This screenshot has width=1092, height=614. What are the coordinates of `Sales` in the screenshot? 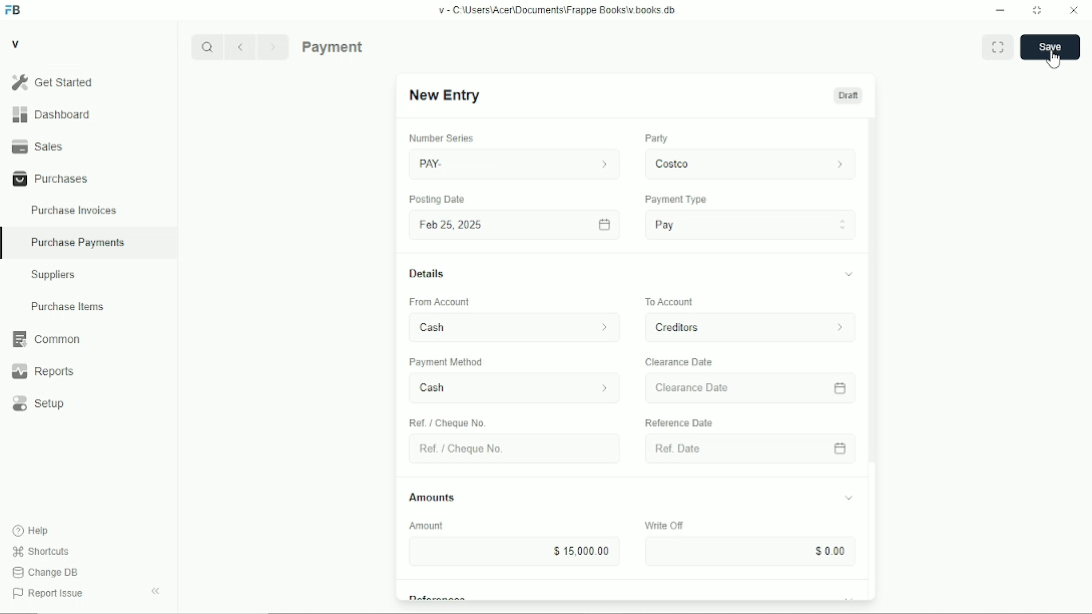 It's located at (88, 146).